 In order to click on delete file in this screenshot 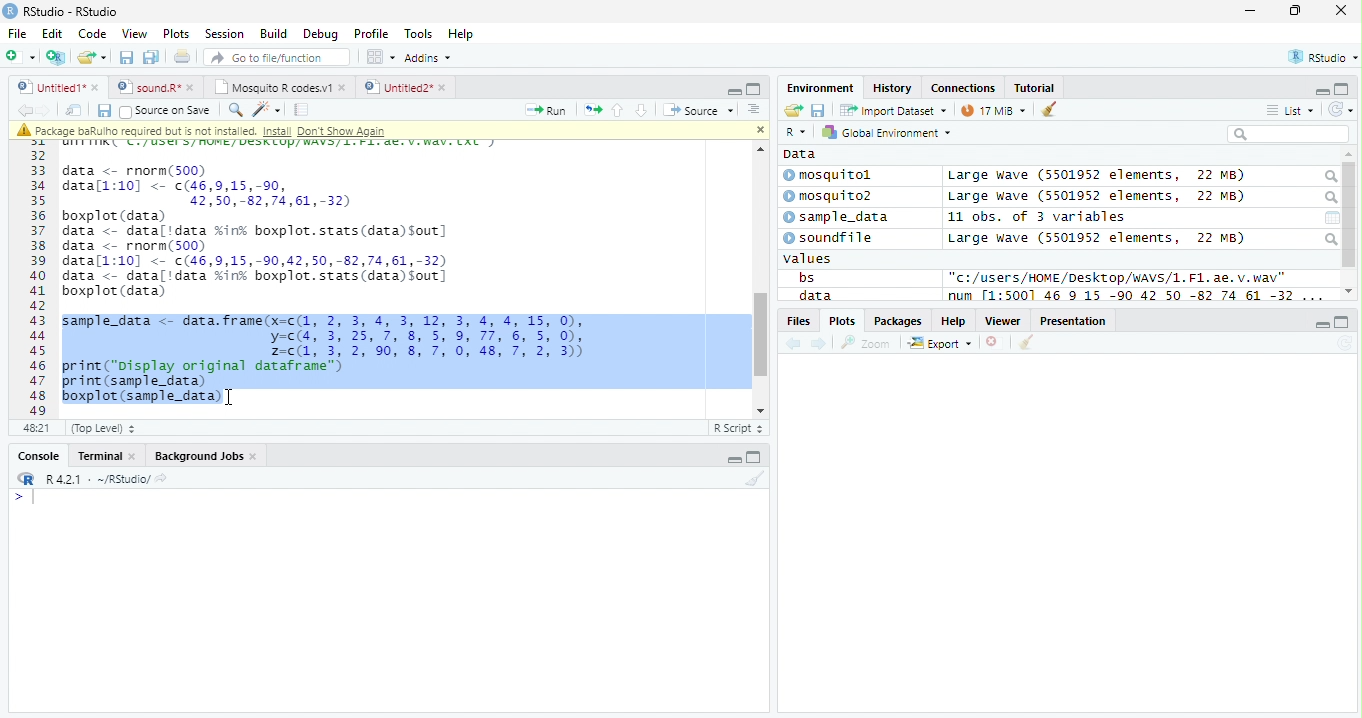, I will do `click(996, 342)`.